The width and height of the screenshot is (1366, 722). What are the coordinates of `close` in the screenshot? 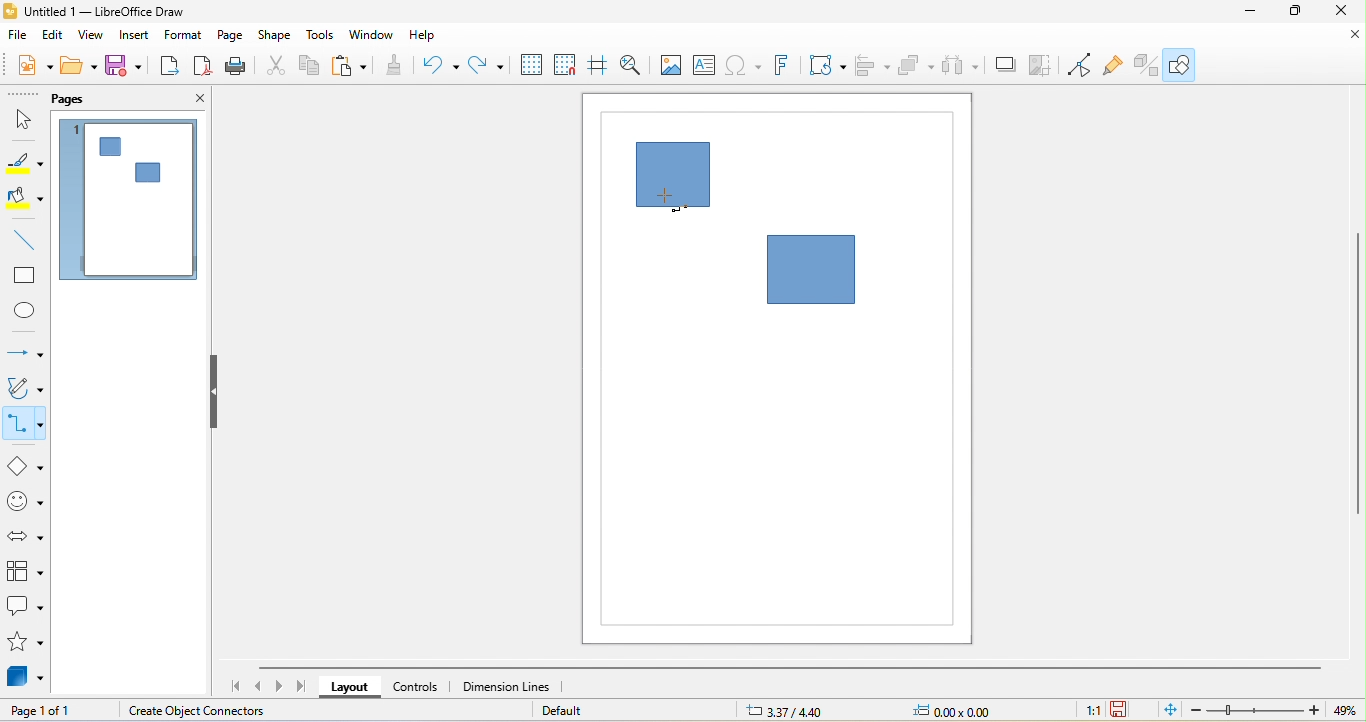 It's located at (194, 99).